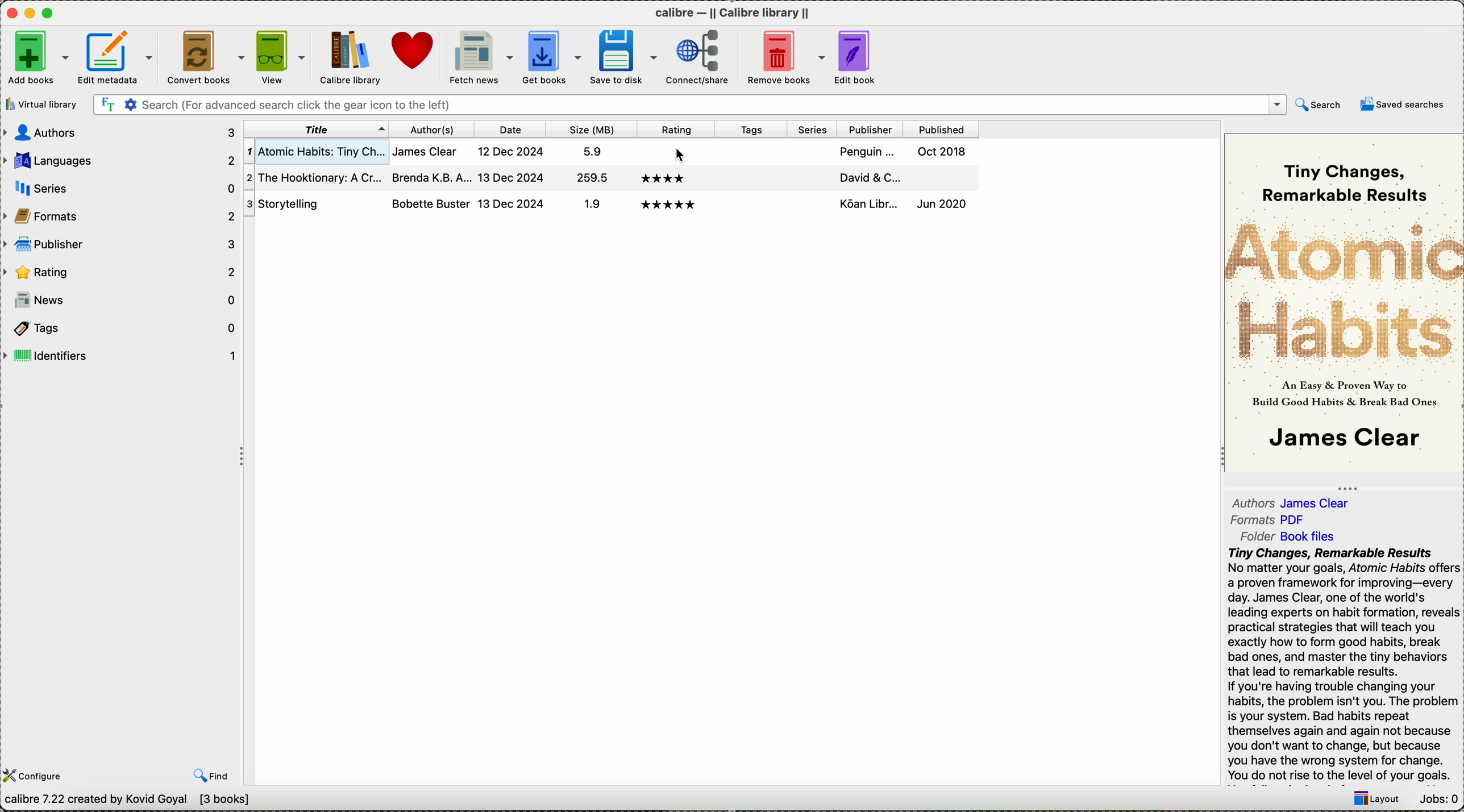  Describe the element at coordinates (1346, 392) in the screenshot. I see `An easy & Proven way to Build Good Habits & Break Bad Ones` at that location.